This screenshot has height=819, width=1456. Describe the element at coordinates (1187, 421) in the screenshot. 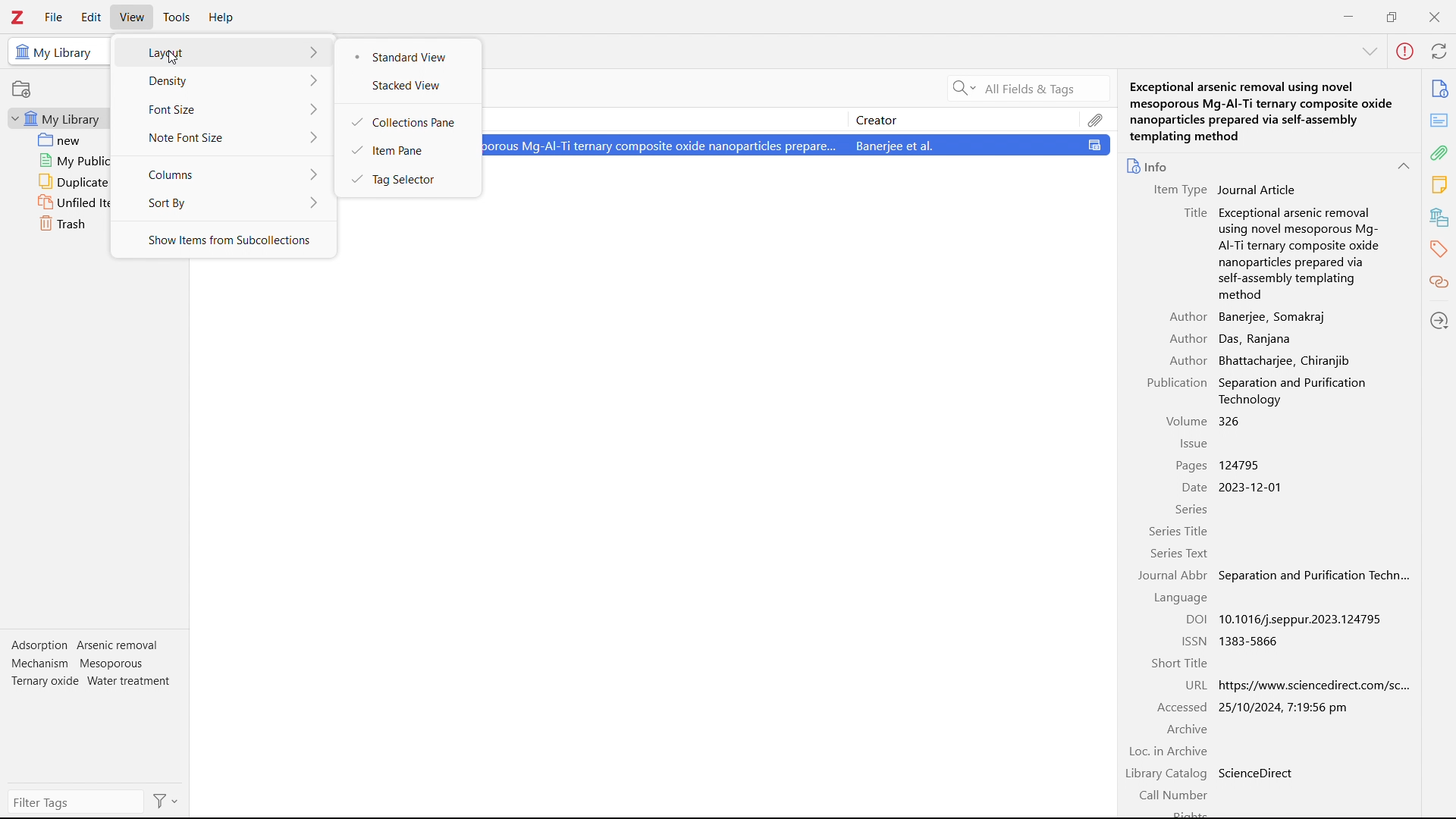

I see `Volume` at that location.